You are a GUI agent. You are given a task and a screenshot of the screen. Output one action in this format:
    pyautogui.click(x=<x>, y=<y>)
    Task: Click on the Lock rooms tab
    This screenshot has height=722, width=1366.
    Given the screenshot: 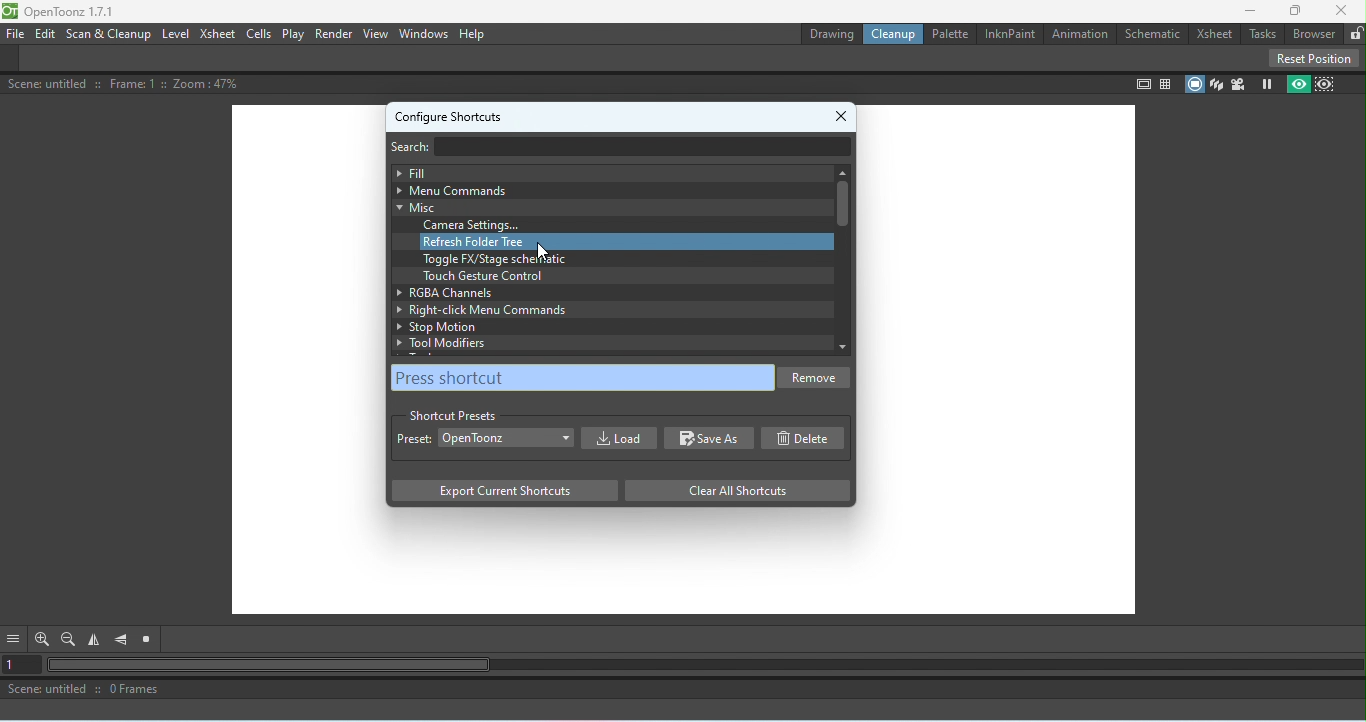 What is the action you would take?
    pyautogui.click(x=1355, y=32)
    